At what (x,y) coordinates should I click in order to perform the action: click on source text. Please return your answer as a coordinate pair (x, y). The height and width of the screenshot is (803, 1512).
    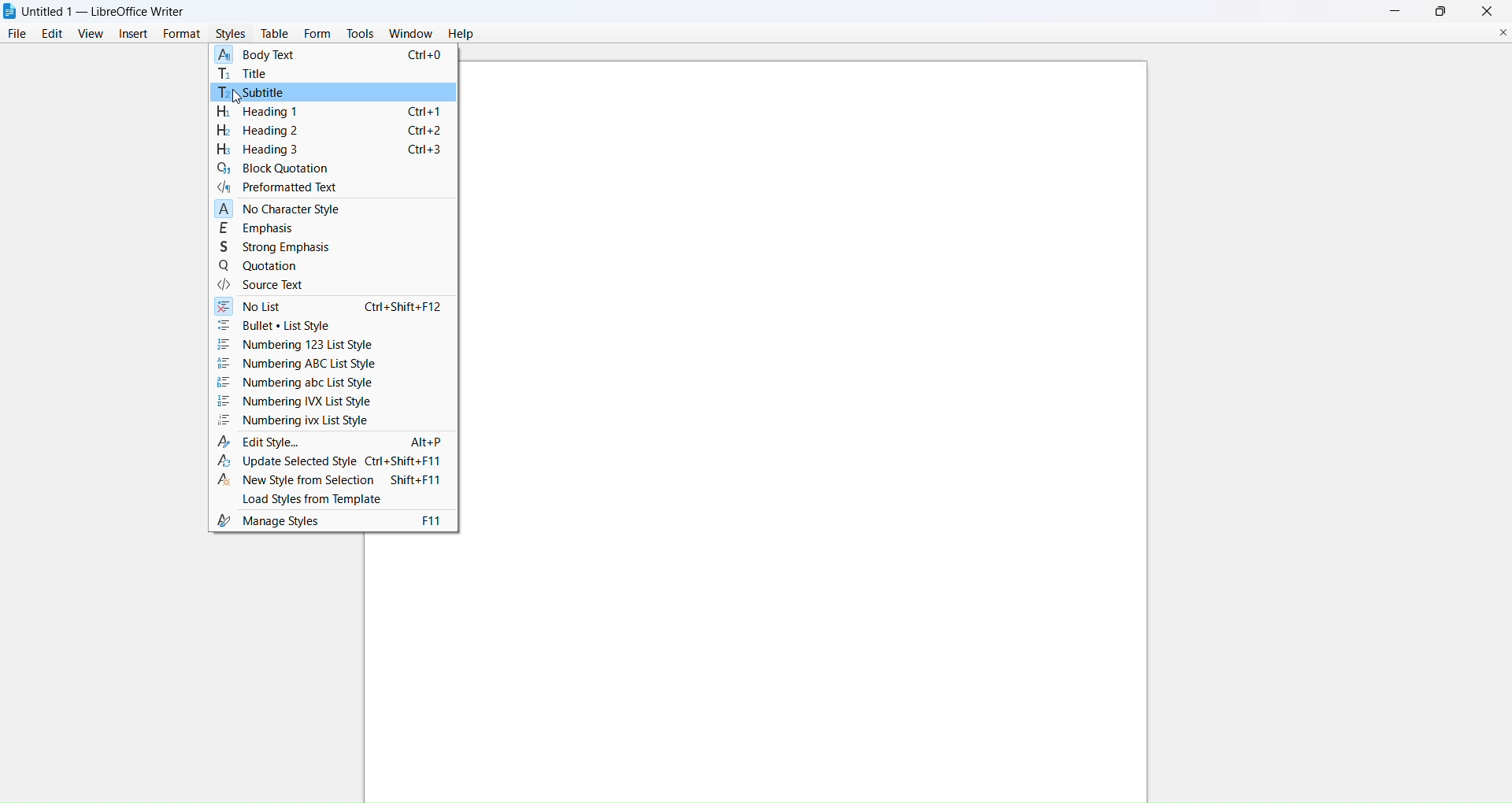
    Looking at the image, I should click on (260, 286).